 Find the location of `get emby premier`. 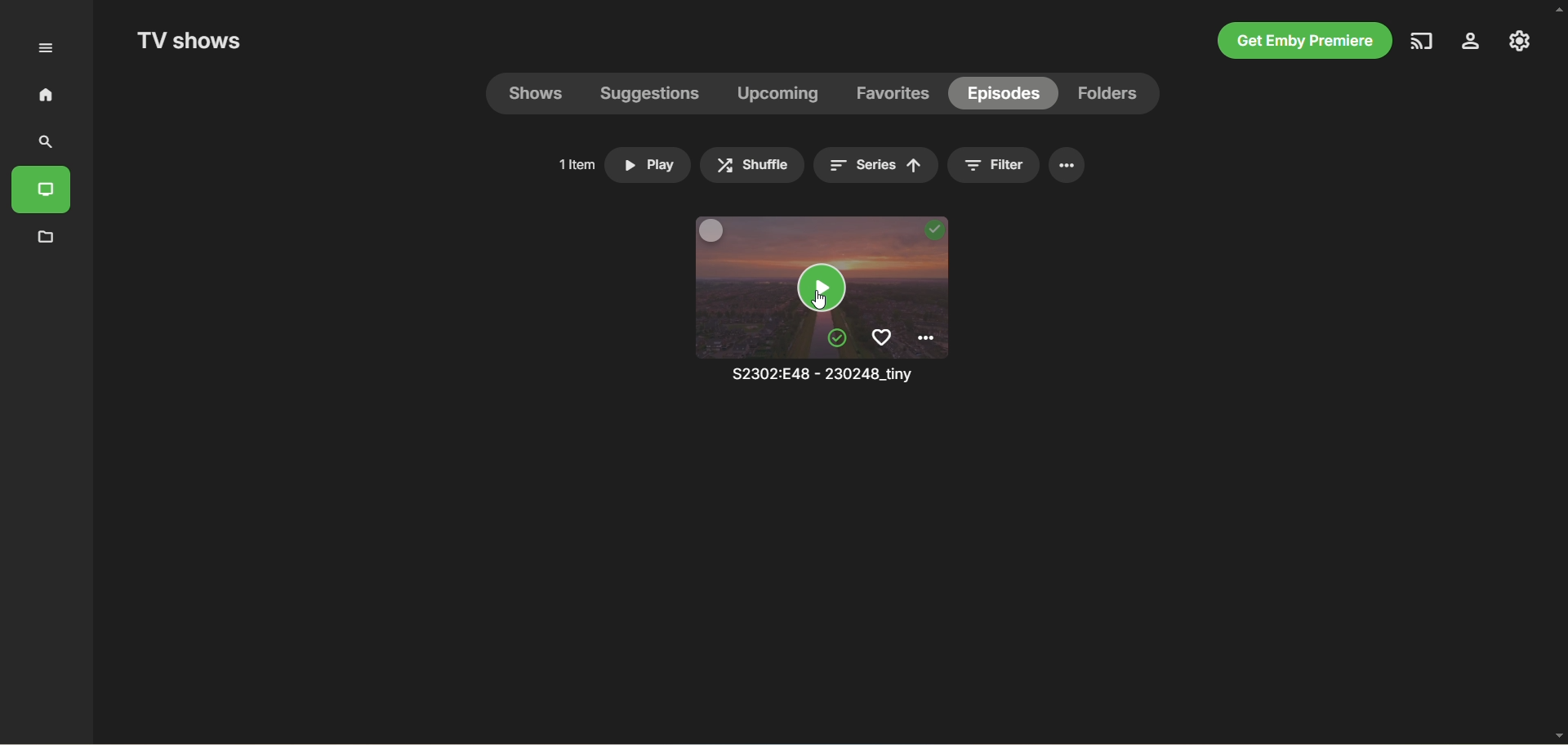

get emby premier is located at coordinates (1304, 41).